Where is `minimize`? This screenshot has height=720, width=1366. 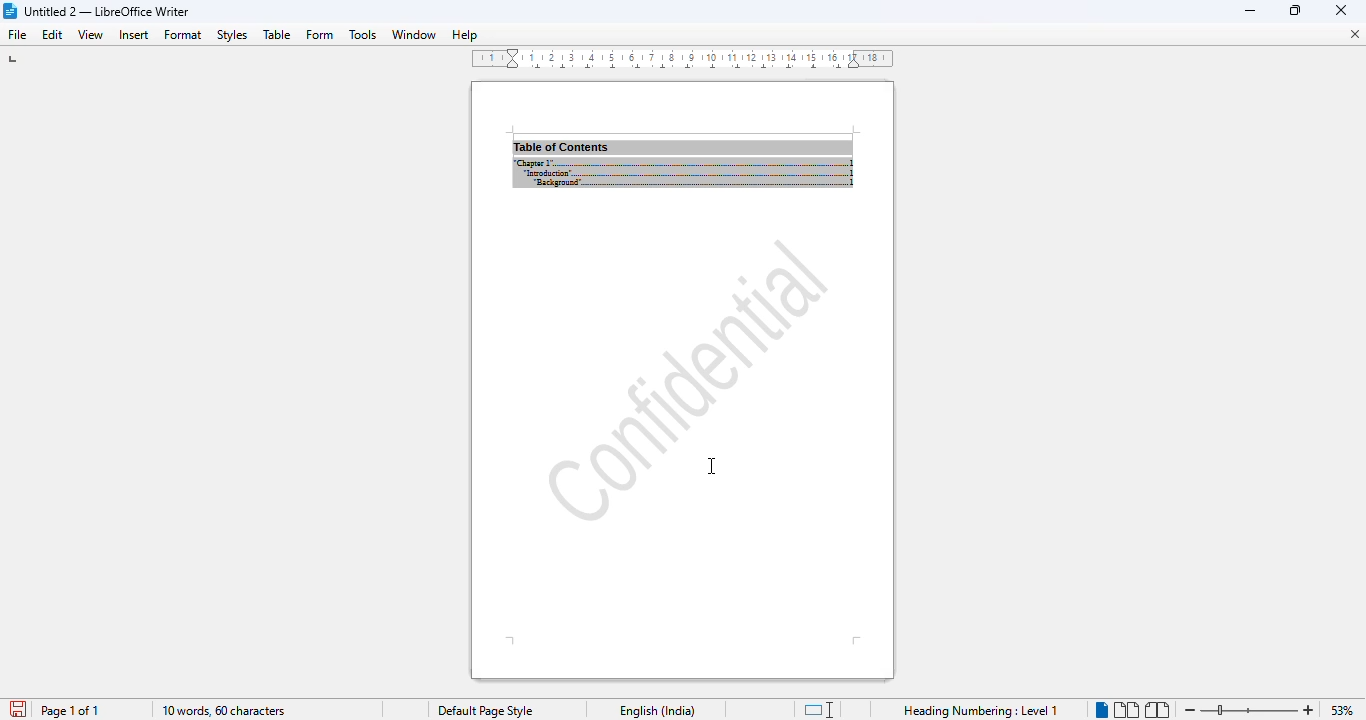 minimize is located at coordinates (1341, 10).